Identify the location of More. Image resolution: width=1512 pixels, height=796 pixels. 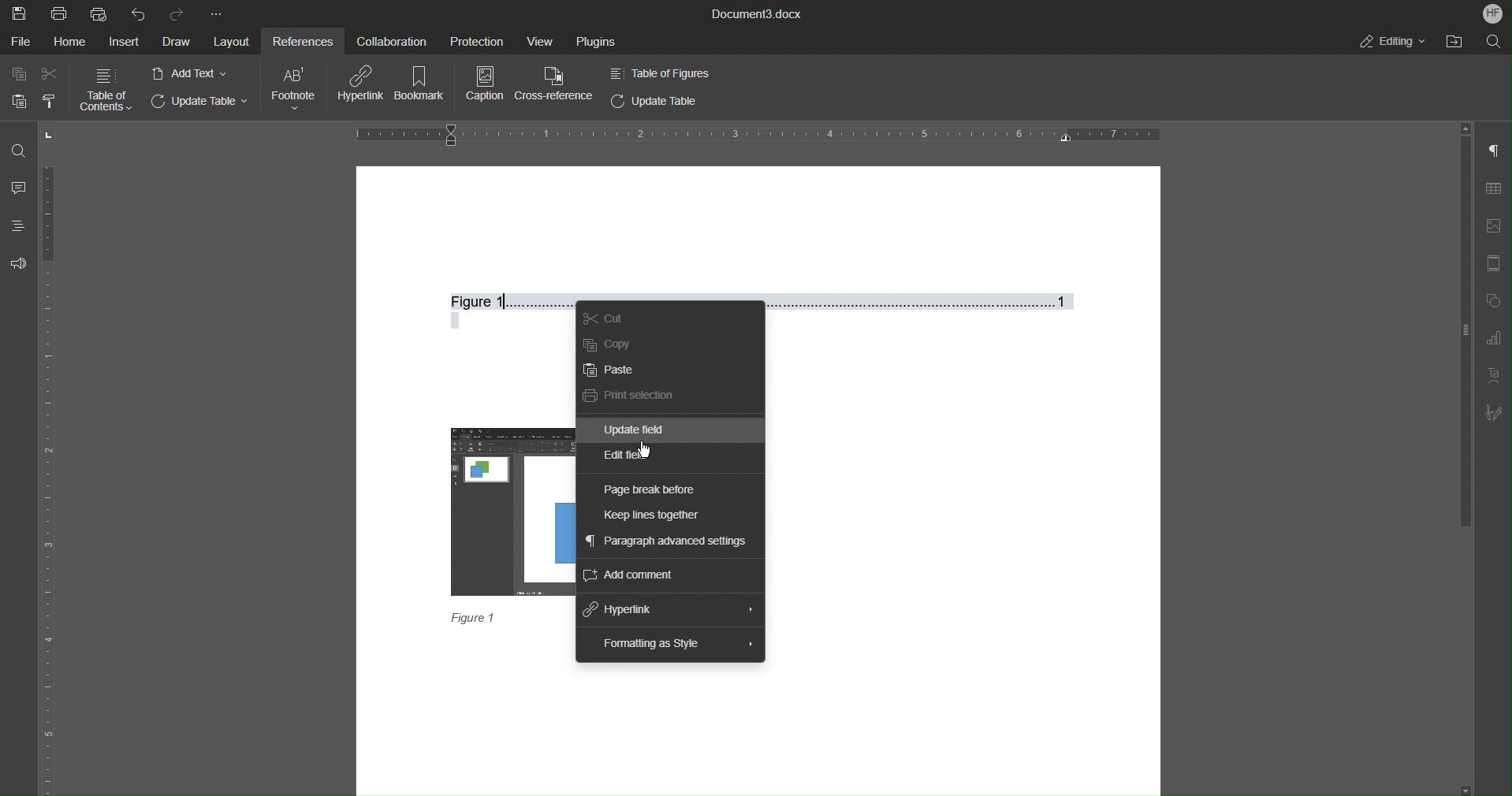
(217, 11).